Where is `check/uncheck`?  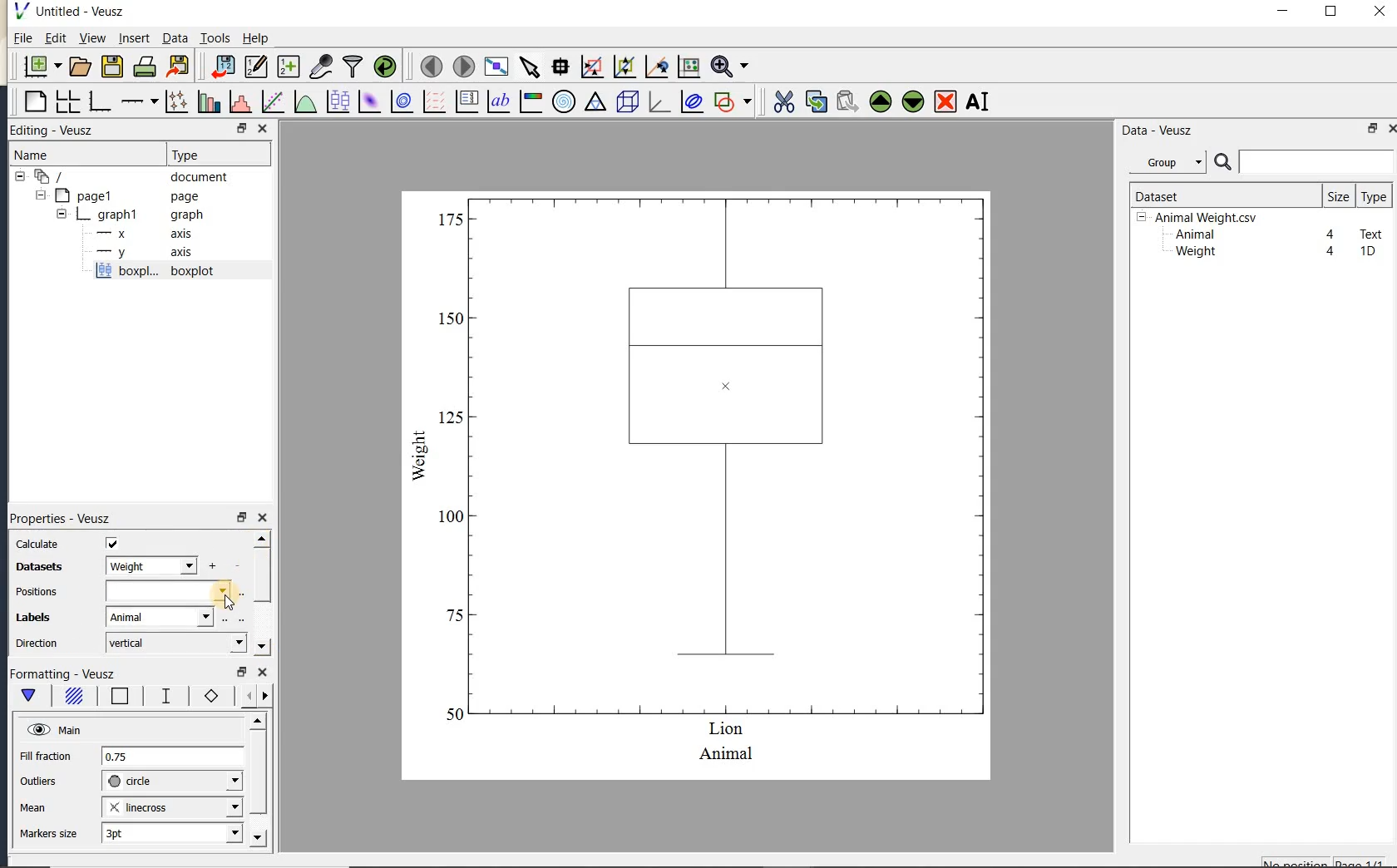
check/uncheck is located at coordinates (112, 545).